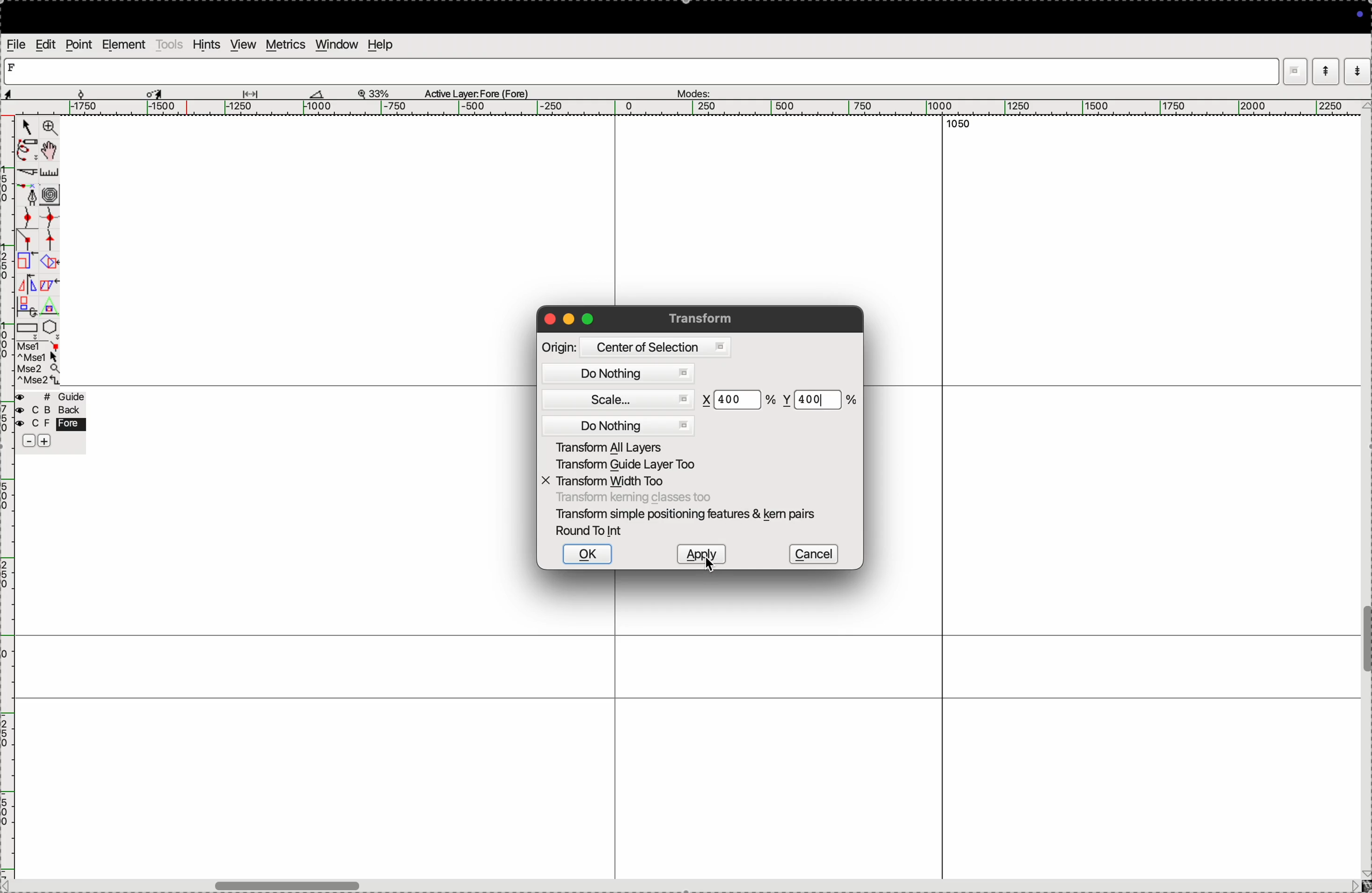 The width and height of the screenshot is (1372, 893). What do you see at coordinates (961, 123) in the screenshot?
I see `1050` at bounding box center [961, 123].